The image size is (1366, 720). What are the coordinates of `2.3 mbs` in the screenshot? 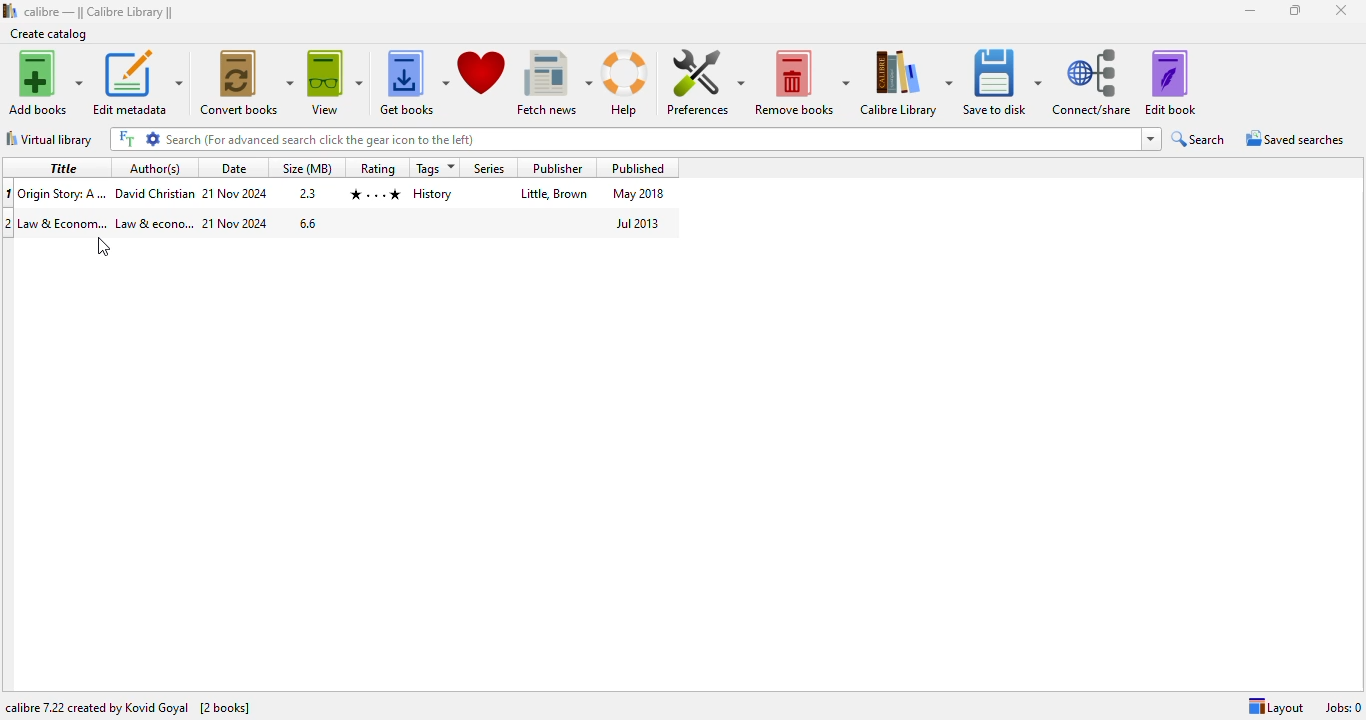 It's located at (309, 193).